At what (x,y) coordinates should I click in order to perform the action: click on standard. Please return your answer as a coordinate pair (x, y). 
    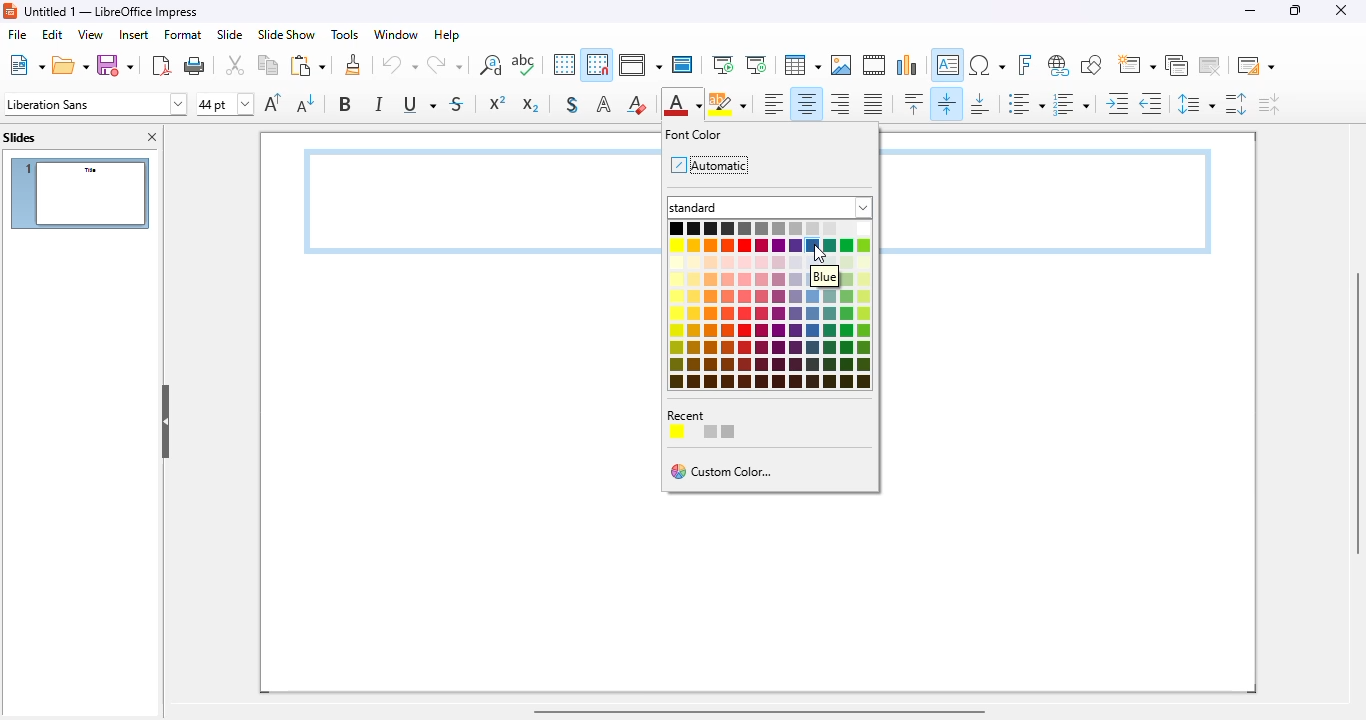
    Looking at the image, I should click on (771, 207).